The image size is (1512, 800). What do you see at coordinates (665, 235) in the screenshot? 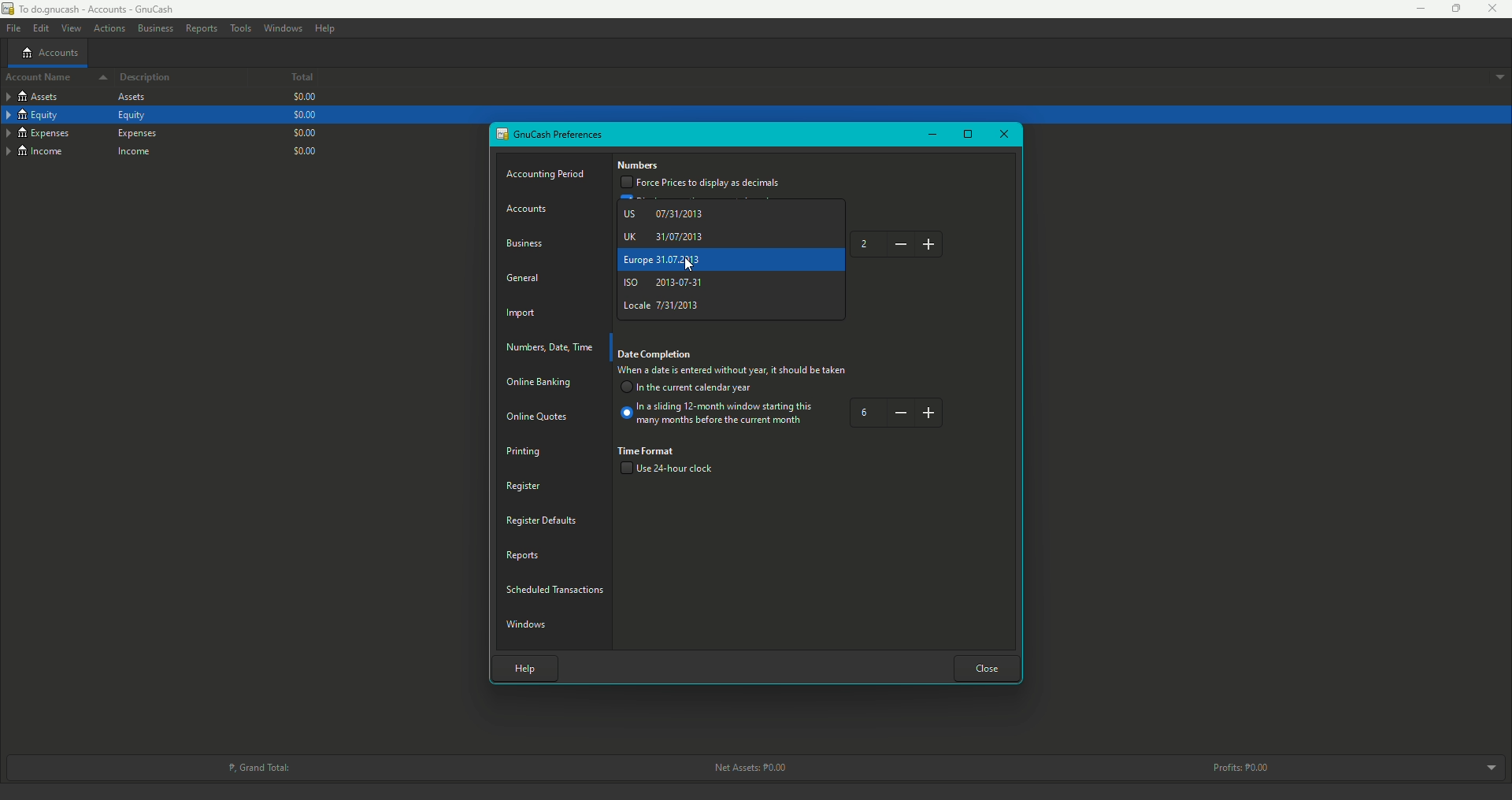
I see `UK Date` at bounding box center [665, 235].